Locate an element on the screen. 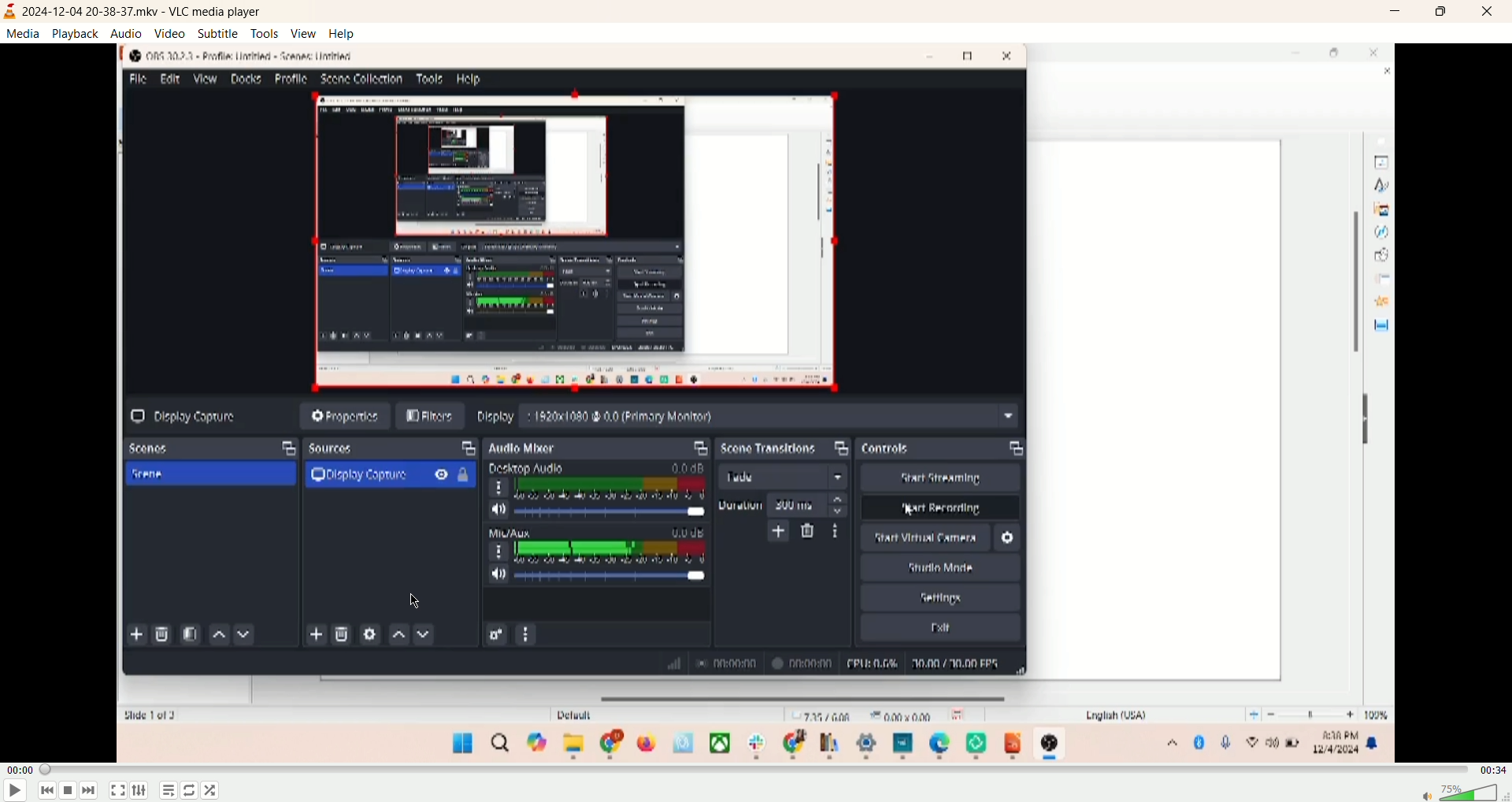  stop is located at coordinates (67, 791).